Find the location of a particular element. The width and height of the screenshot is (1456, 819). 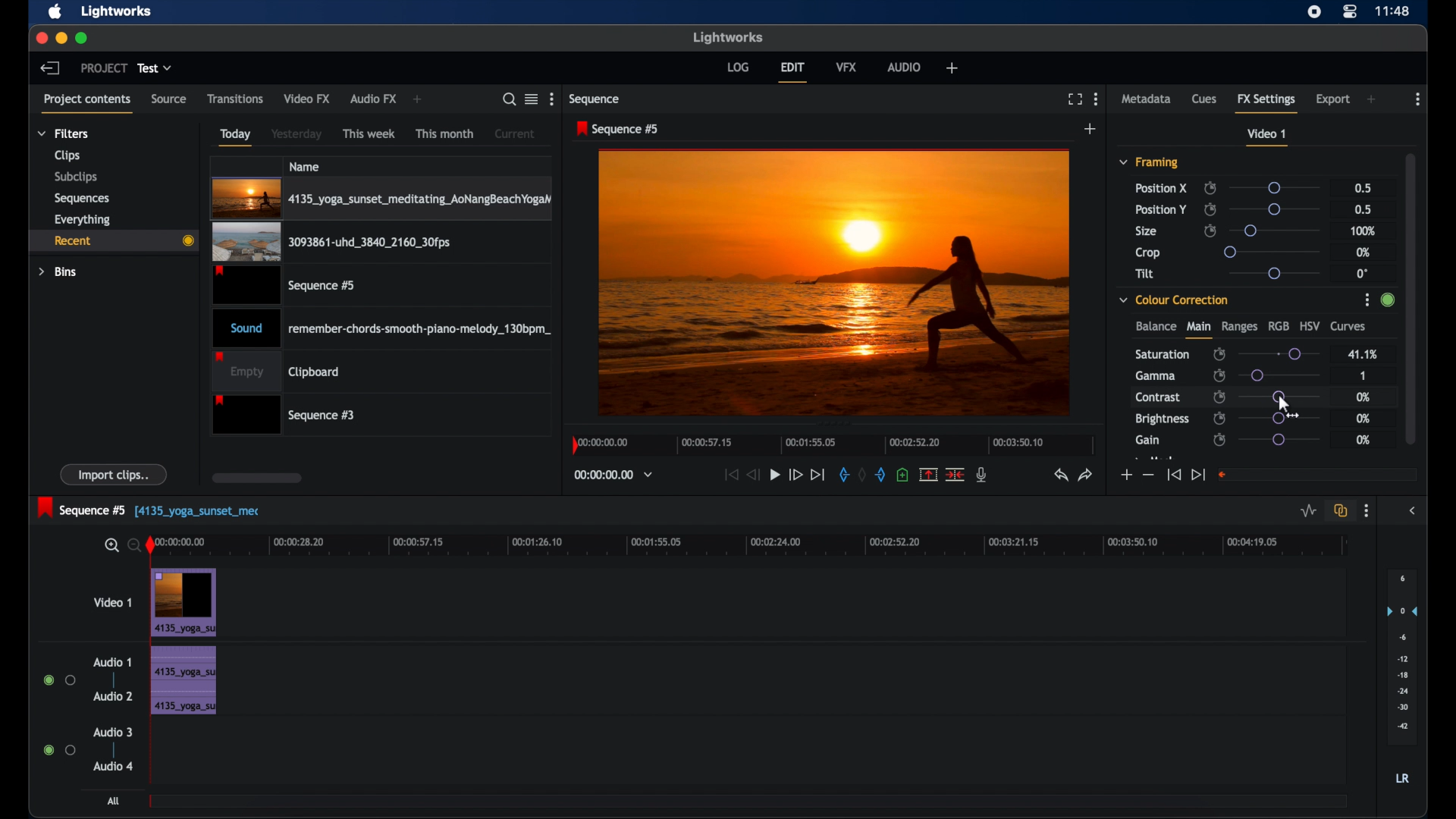

slider is located at coordinates (1279, 440).